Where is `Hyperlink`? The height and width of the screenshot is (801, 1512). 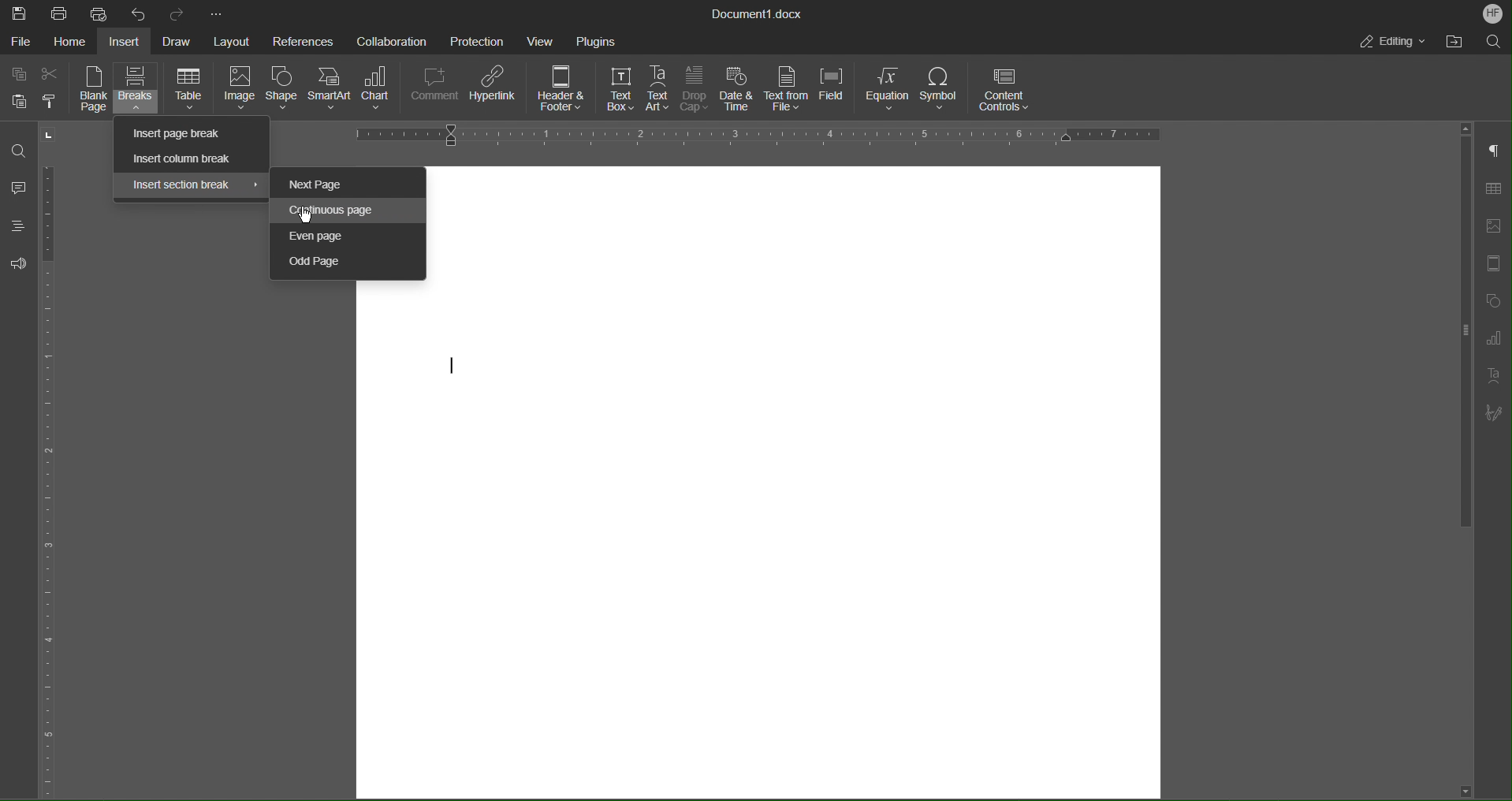
Hyperlink is located at coordinates (497, 91).